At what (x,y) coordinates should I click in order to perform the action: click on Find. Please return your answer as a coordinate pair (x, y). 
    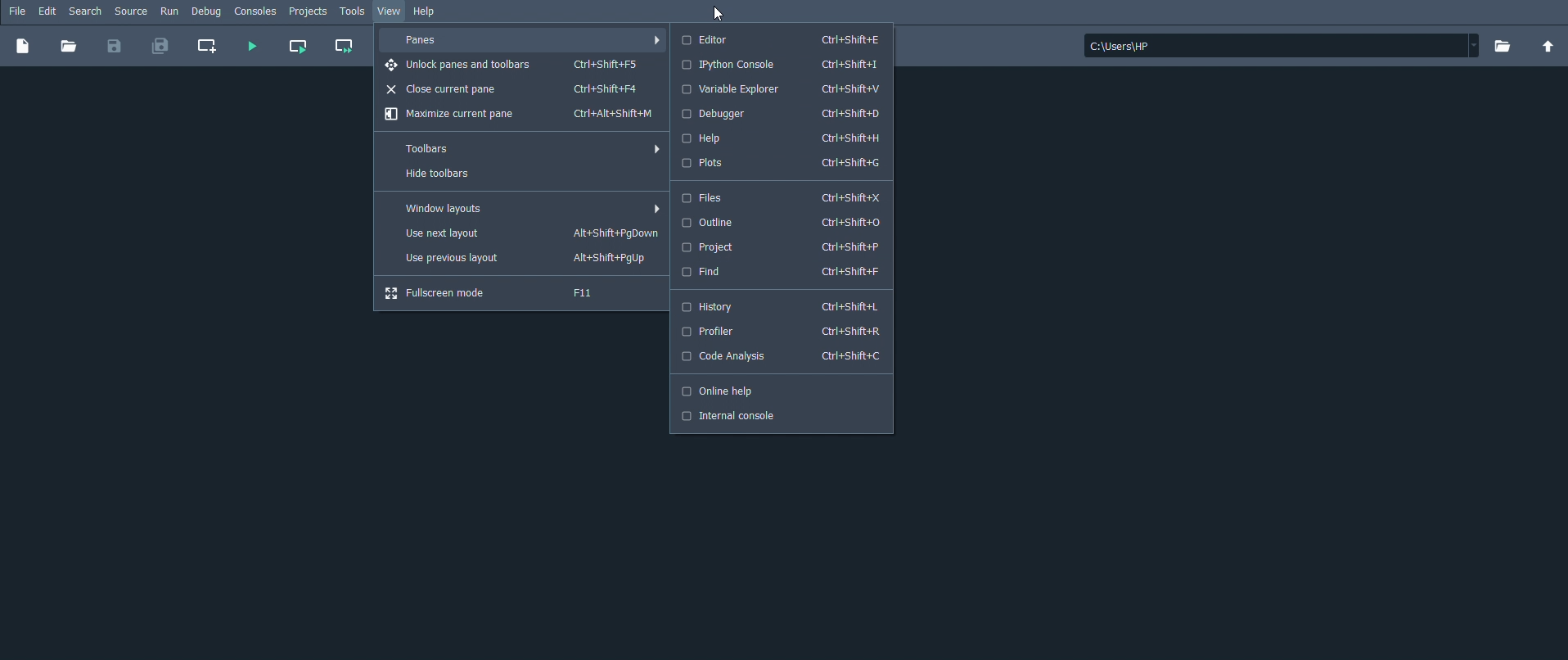
    Looking at the image, I should click on (786, 272).